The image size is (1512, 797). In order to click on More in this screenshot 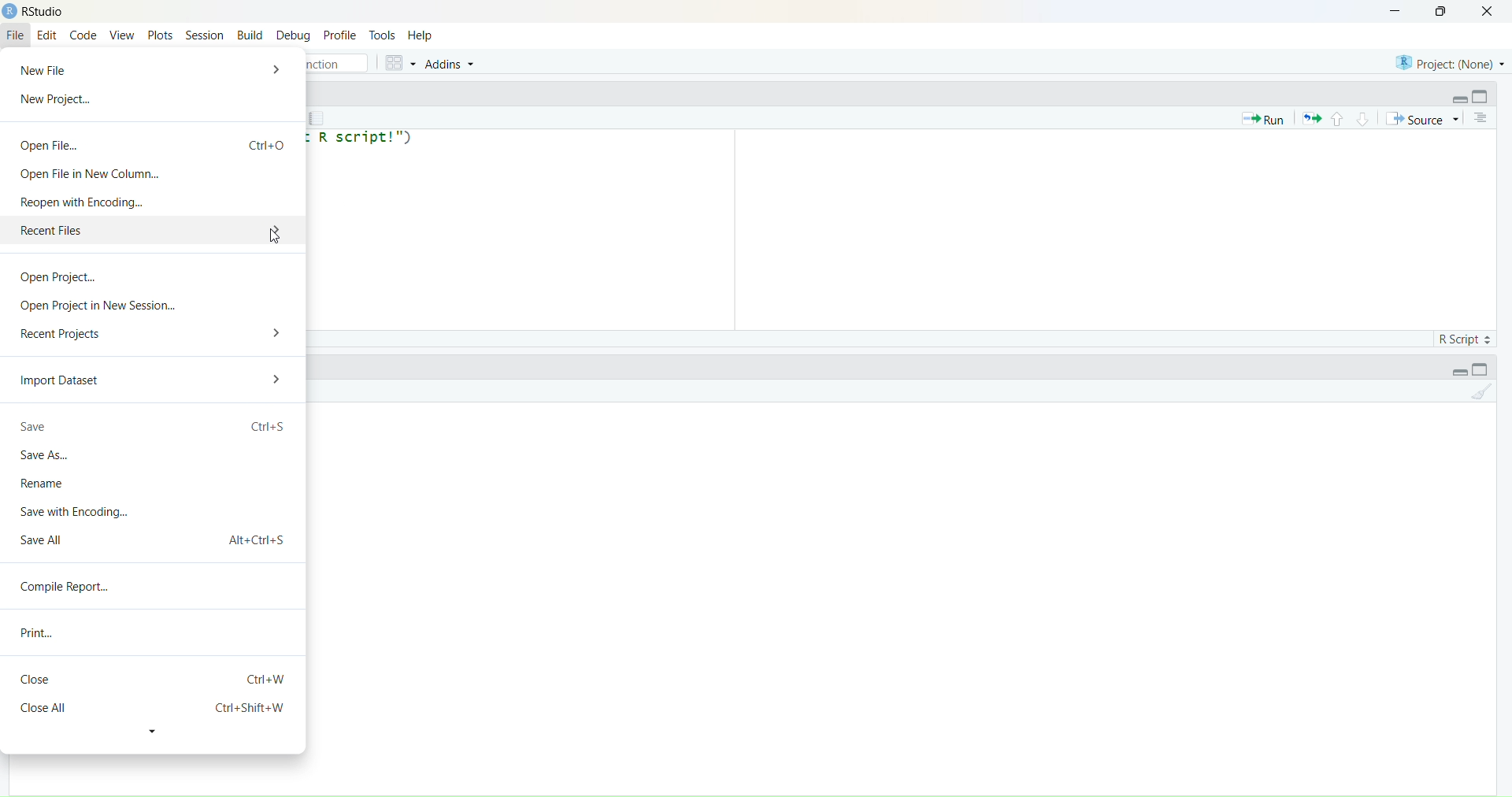, I will do `click(271, 231)`.